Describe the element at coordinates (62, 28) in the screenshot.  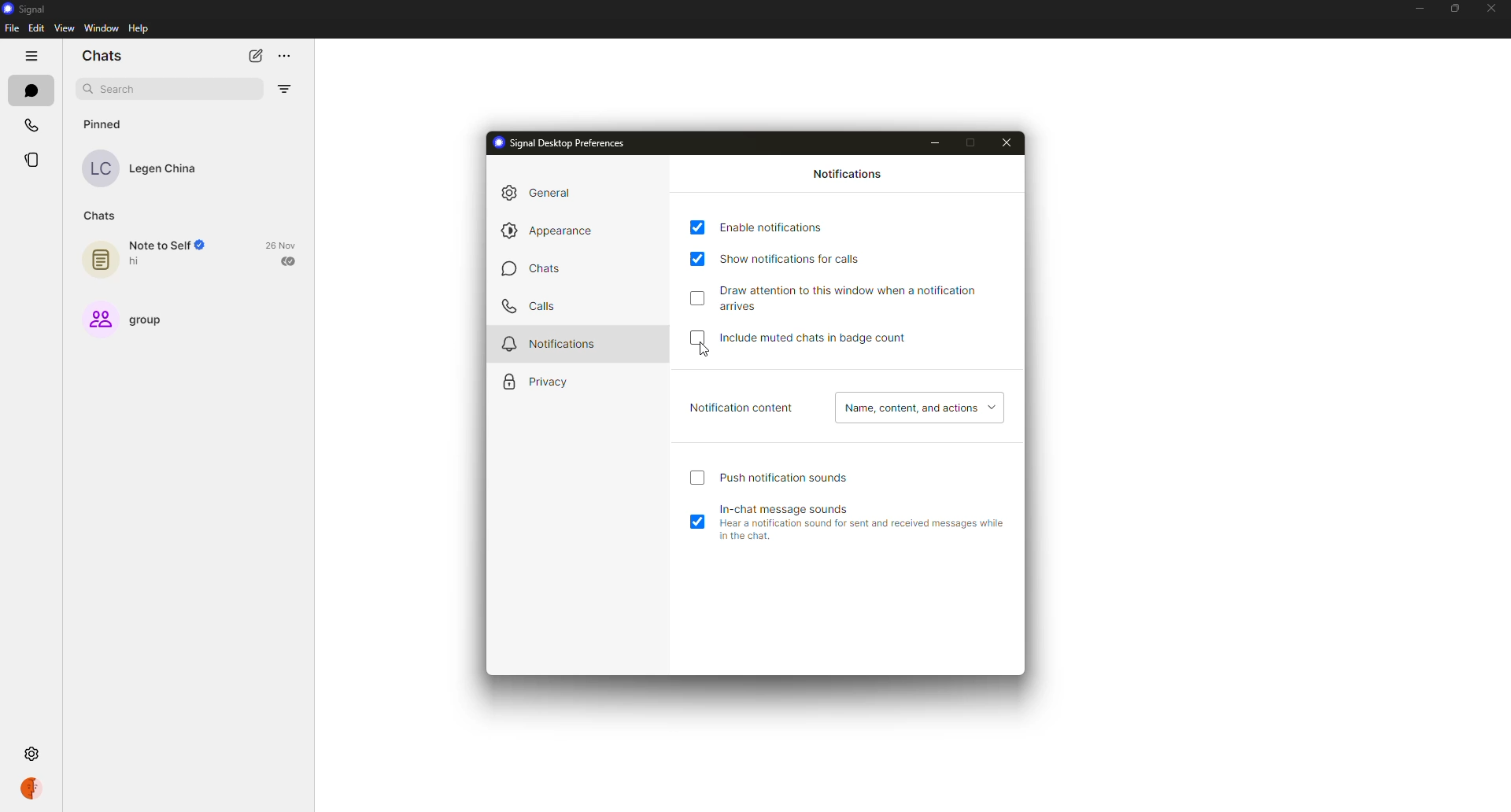
I see `view` at that location.